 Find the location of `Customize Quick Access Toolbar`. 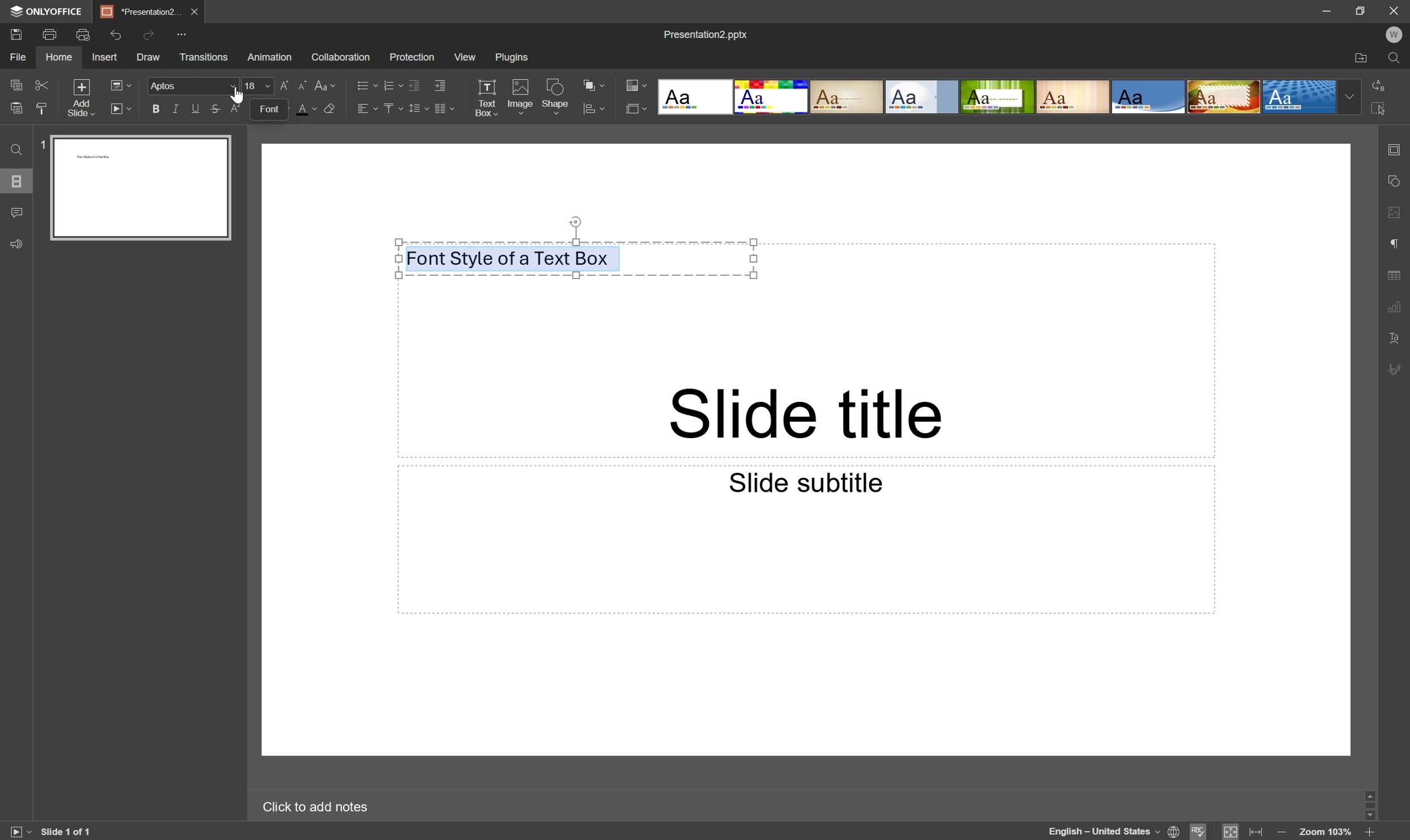

Customize Quick Access Toolbar is located at coordinates (186, 36).